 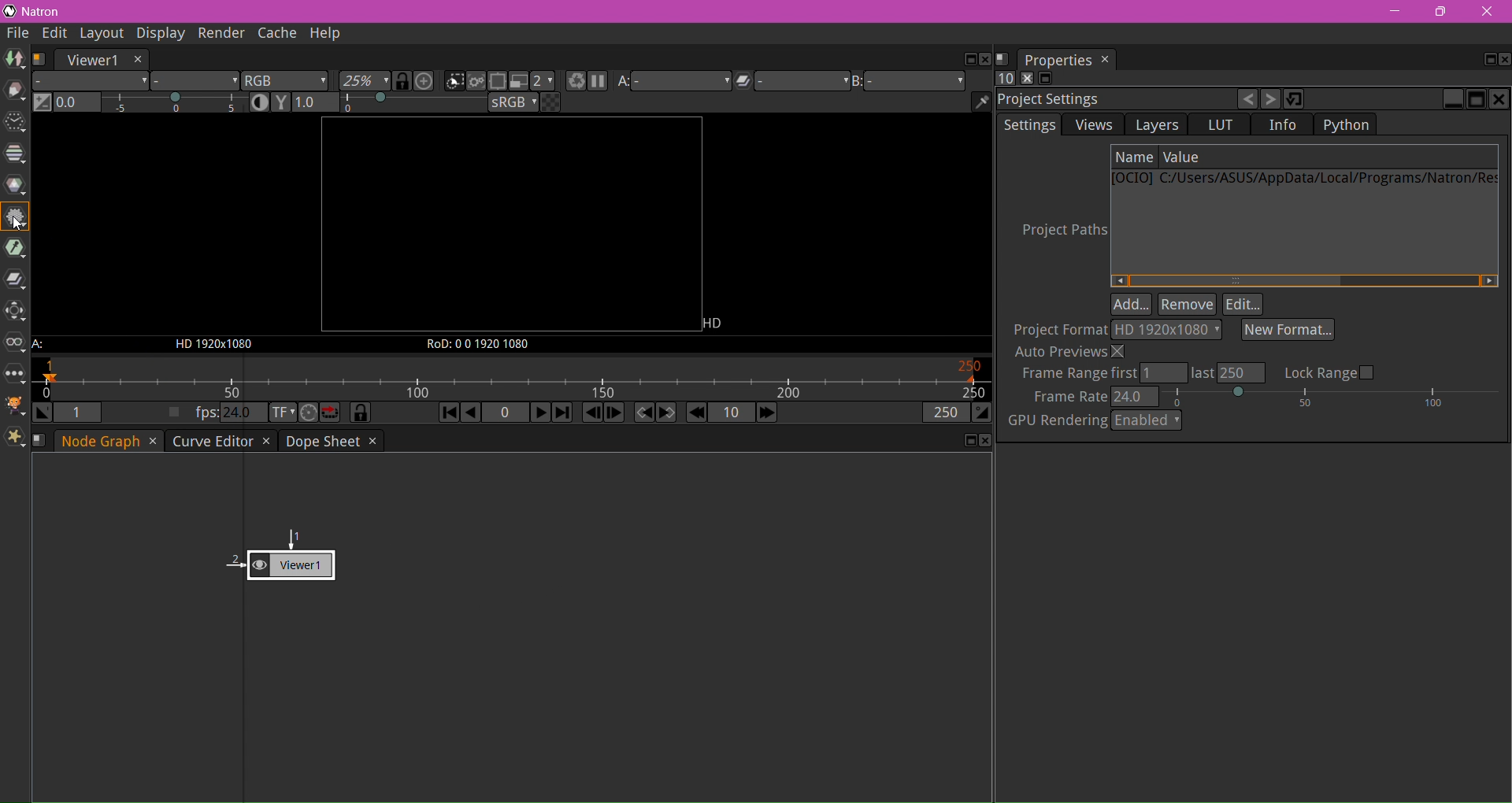 I want to click on GMIC, so click(x=16, y=406).